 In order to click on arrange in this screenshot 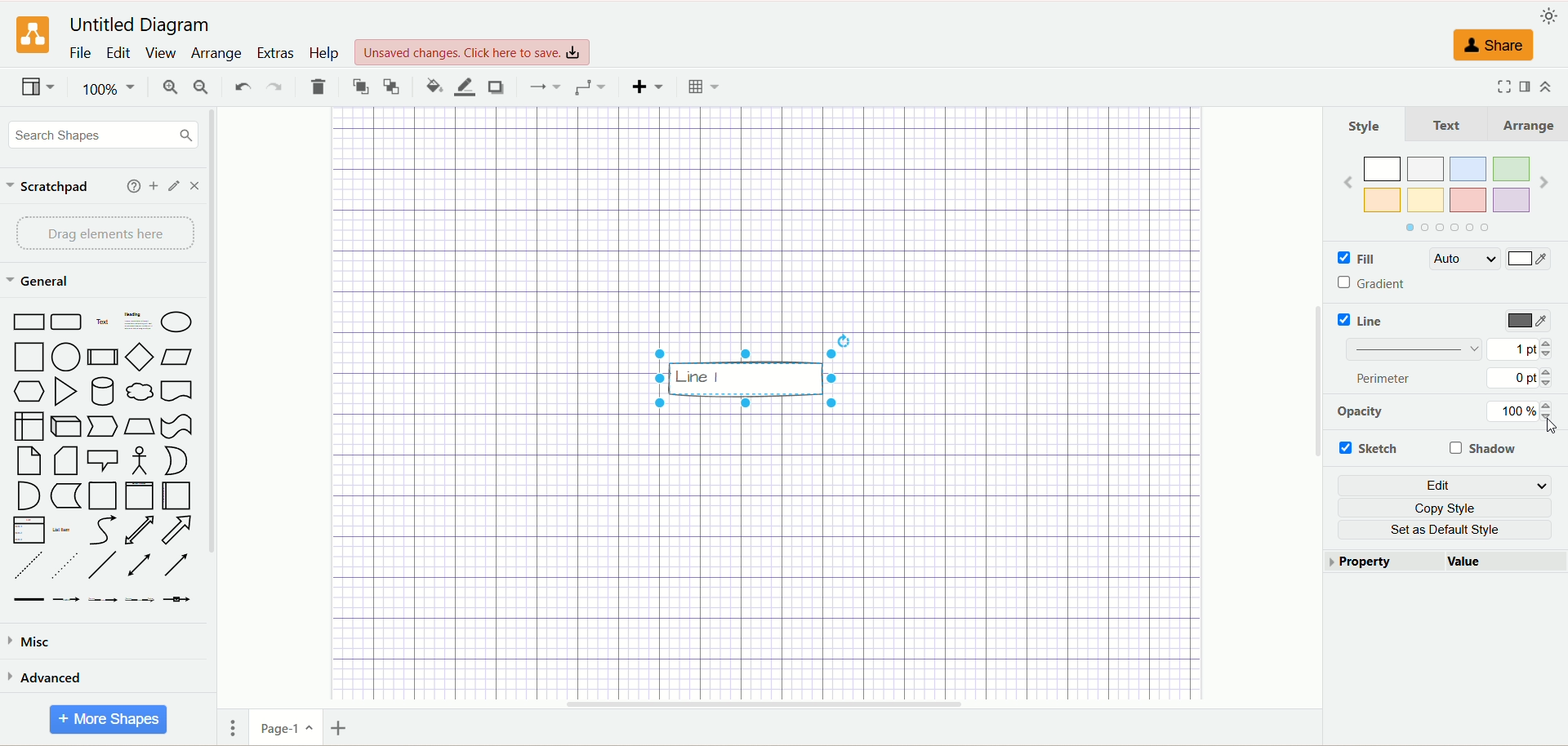, I will do `click(217, 54)`.